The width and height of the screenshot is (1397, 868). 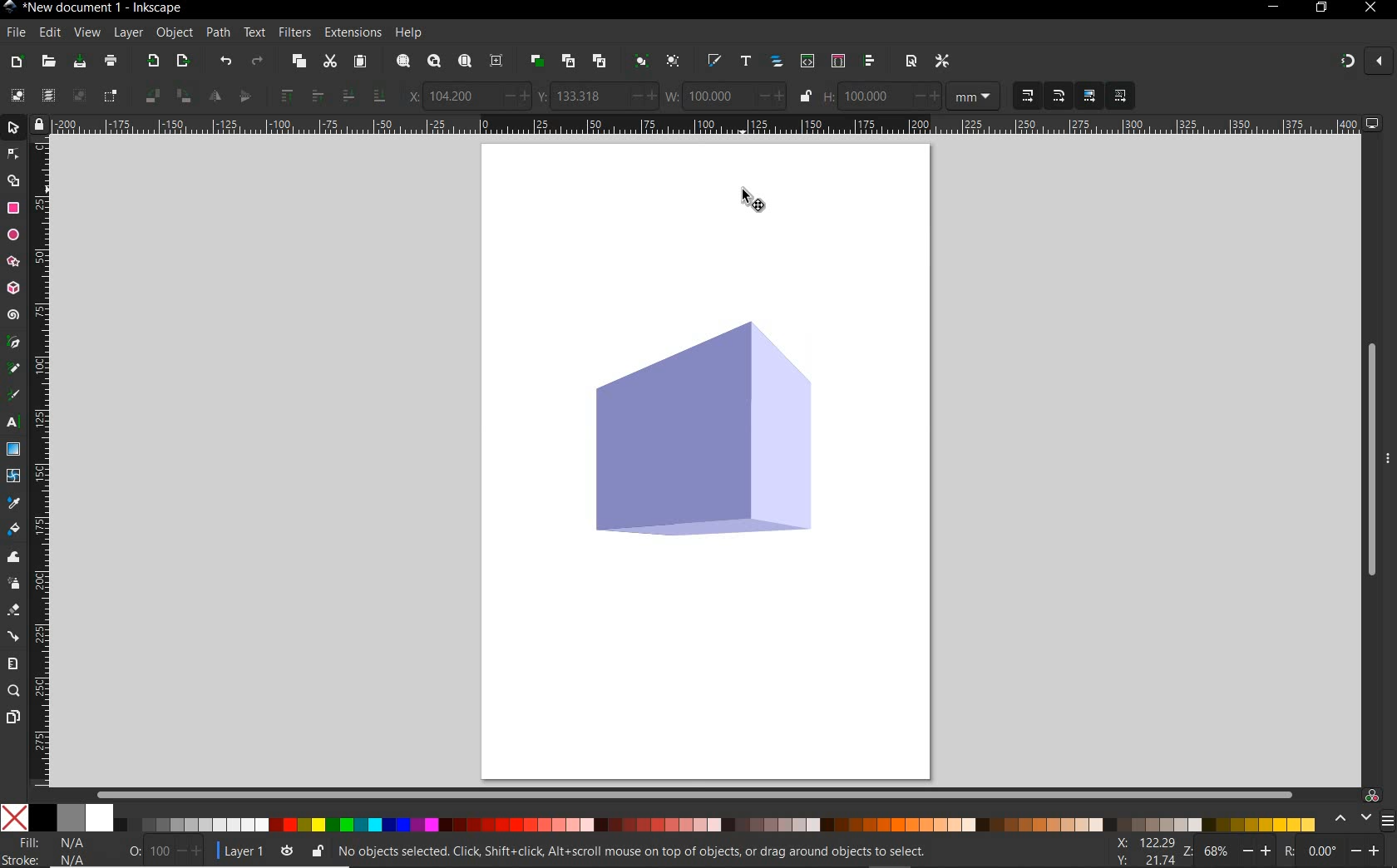 I want to click on enable snapping, so click(x=1346, y=62).